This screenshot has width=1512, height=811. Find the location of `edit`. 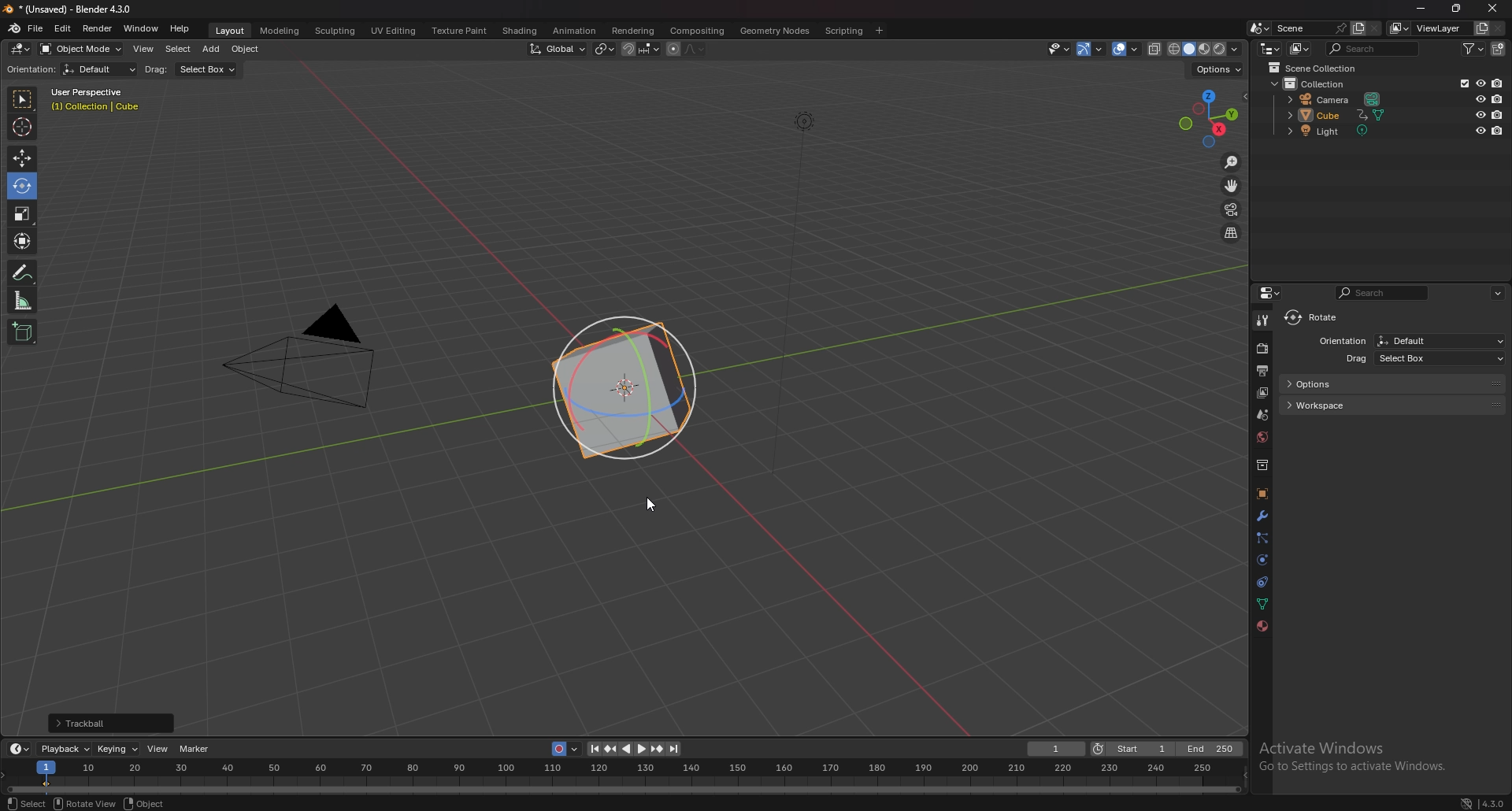

edit is located at coordinates (62, 28).